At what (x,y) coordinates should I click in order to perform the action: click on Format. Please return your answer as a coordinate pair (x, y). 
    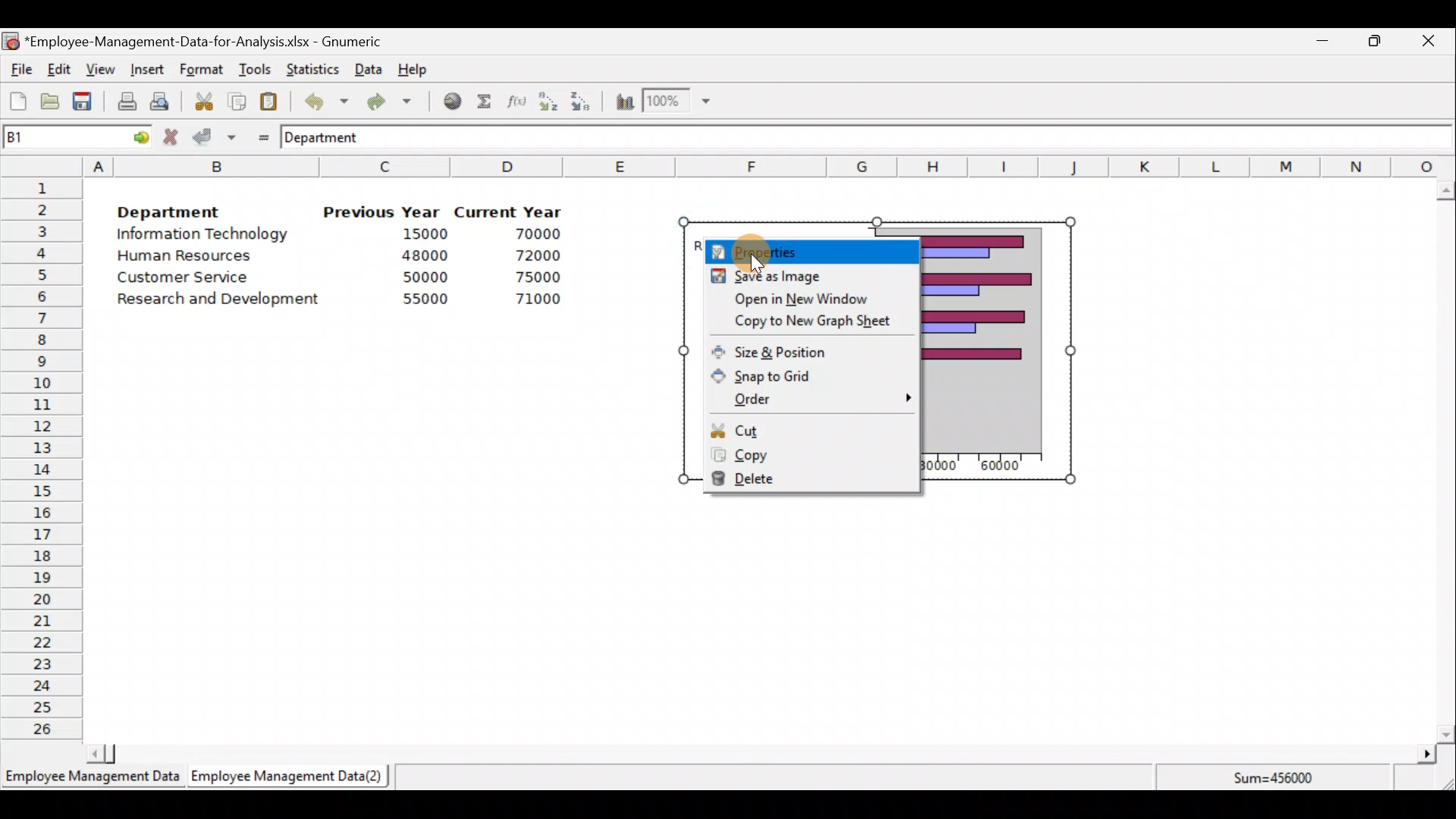
    Looking at the image, I should click on (201, 71).